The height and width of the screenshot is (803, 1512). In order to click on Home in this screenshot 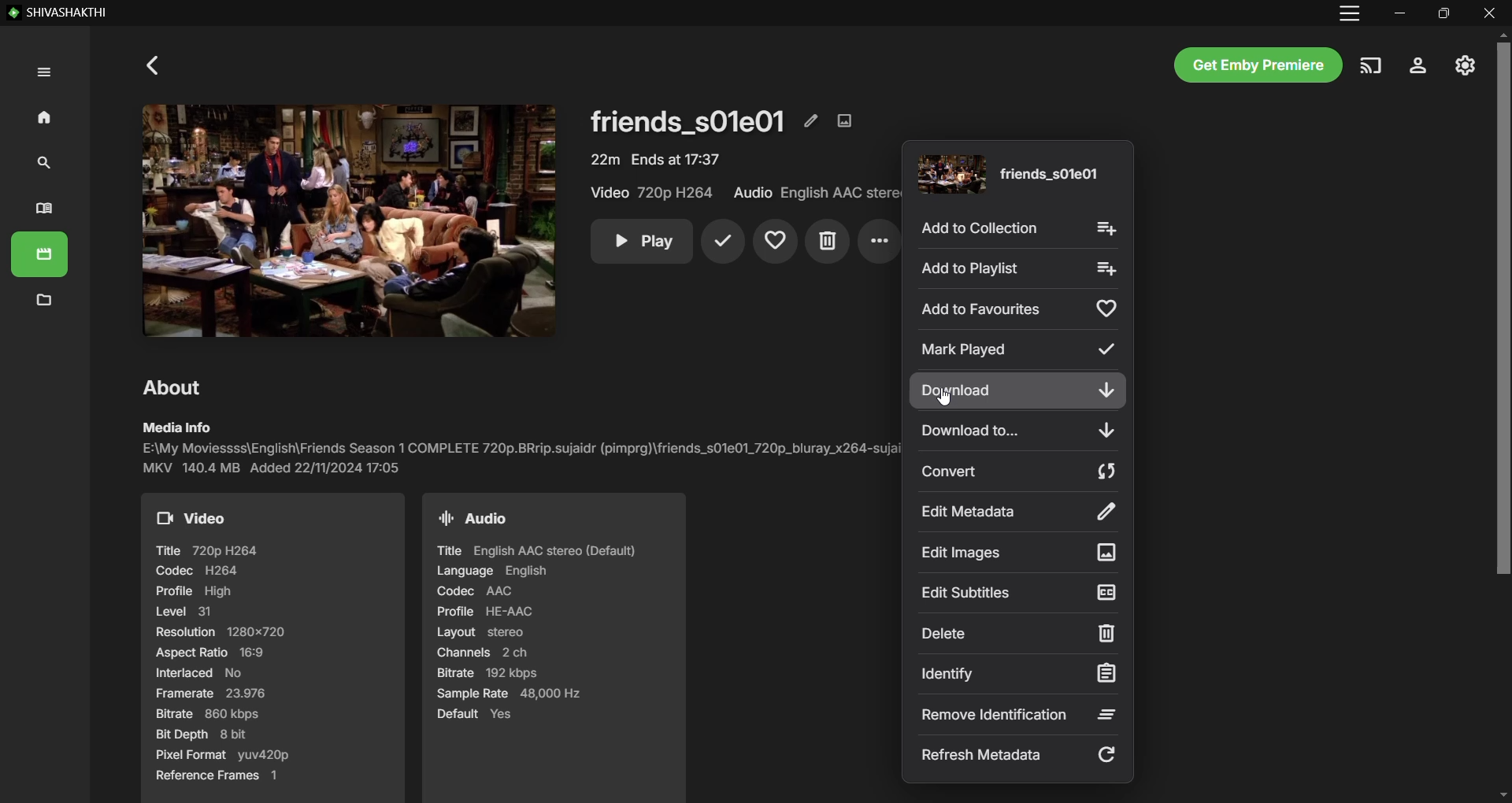, I will do `click(40, 116)`.